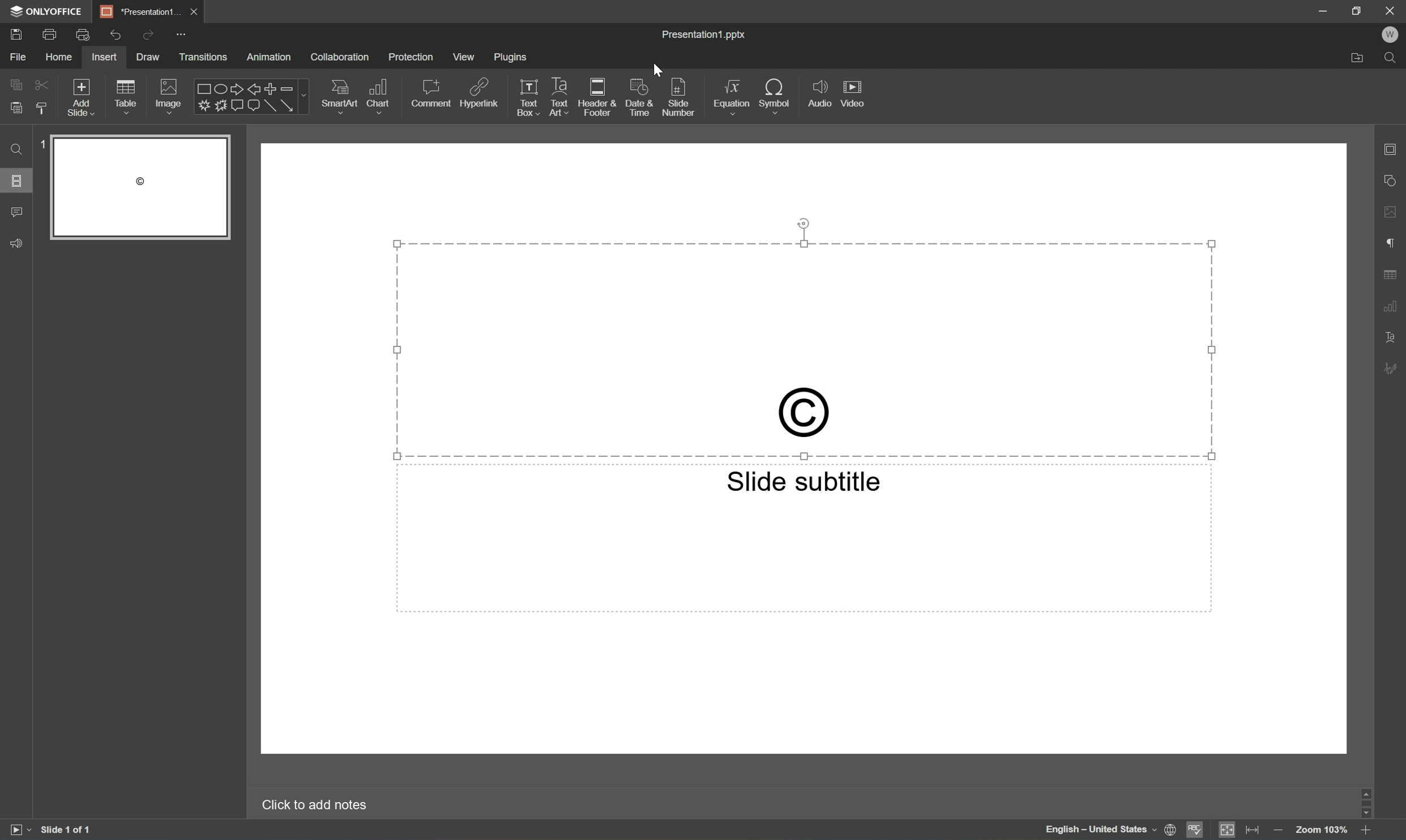  I want to click on Insert, so click(105, 57).